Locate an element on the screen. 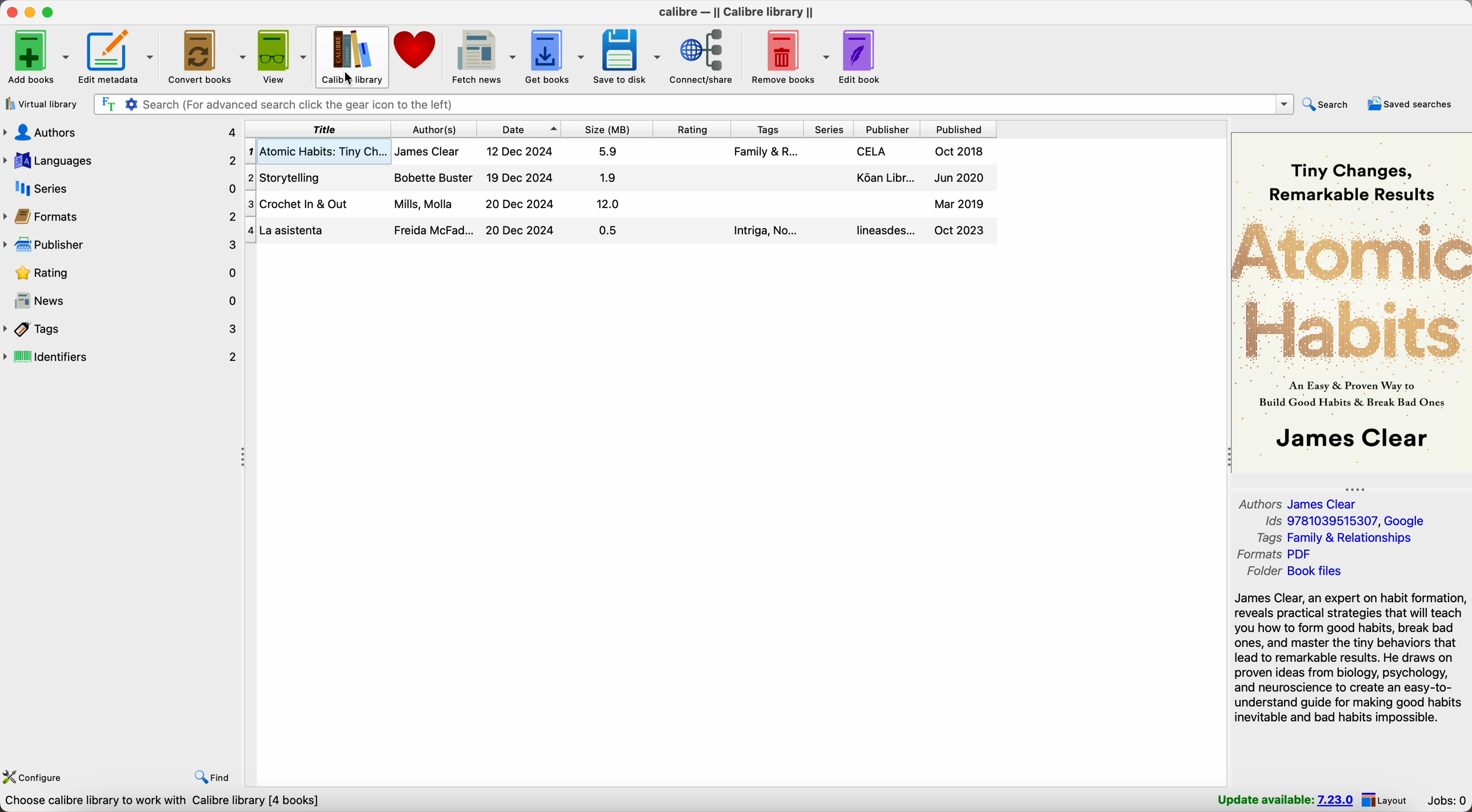 The image size is (1472, 812). search bar is located at coordinates (693, 103).